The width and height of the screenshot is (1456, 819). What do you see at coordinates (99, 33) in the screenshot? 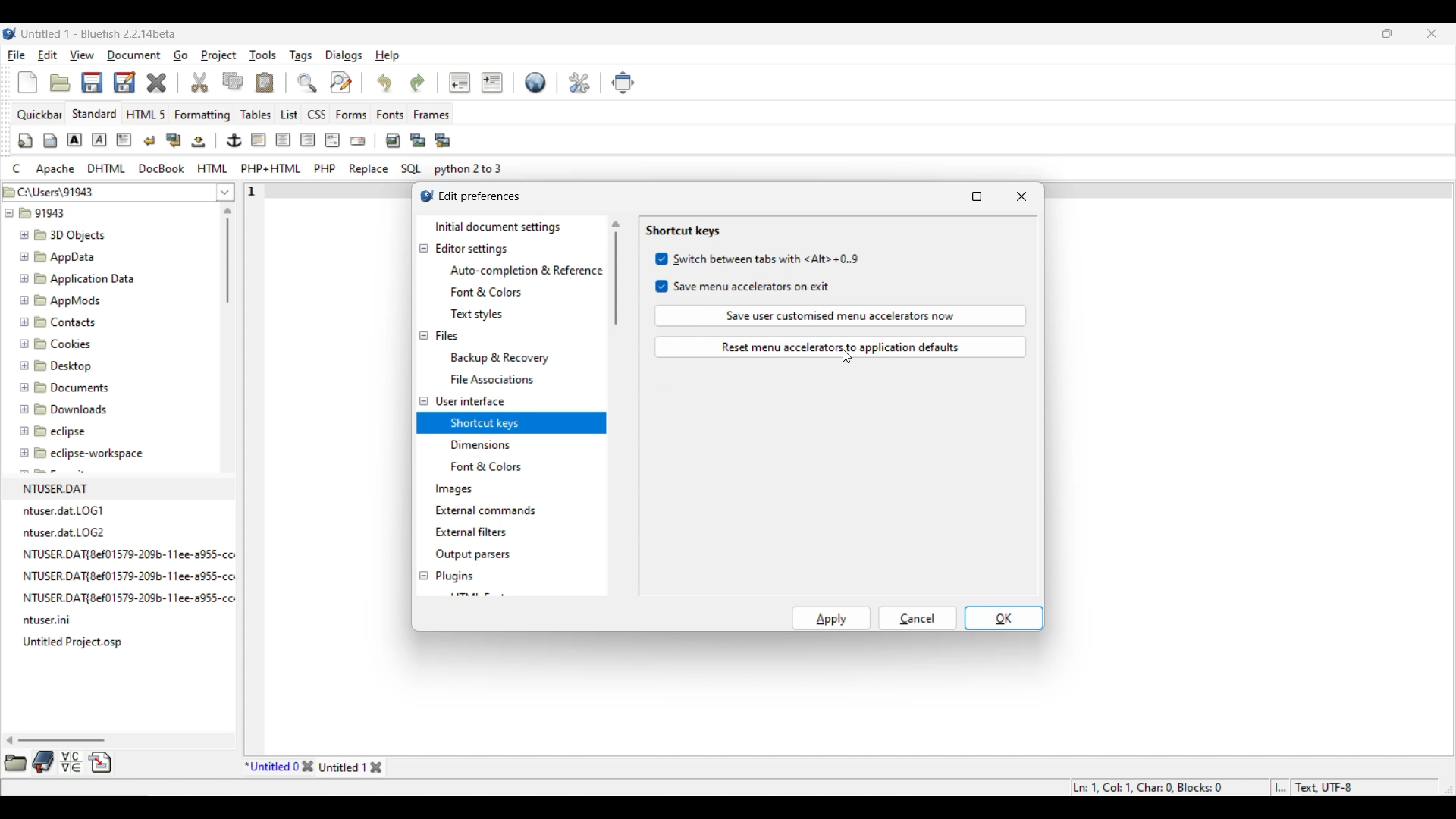
I see `Project name, software name and version` at bounding box center [99, 33].